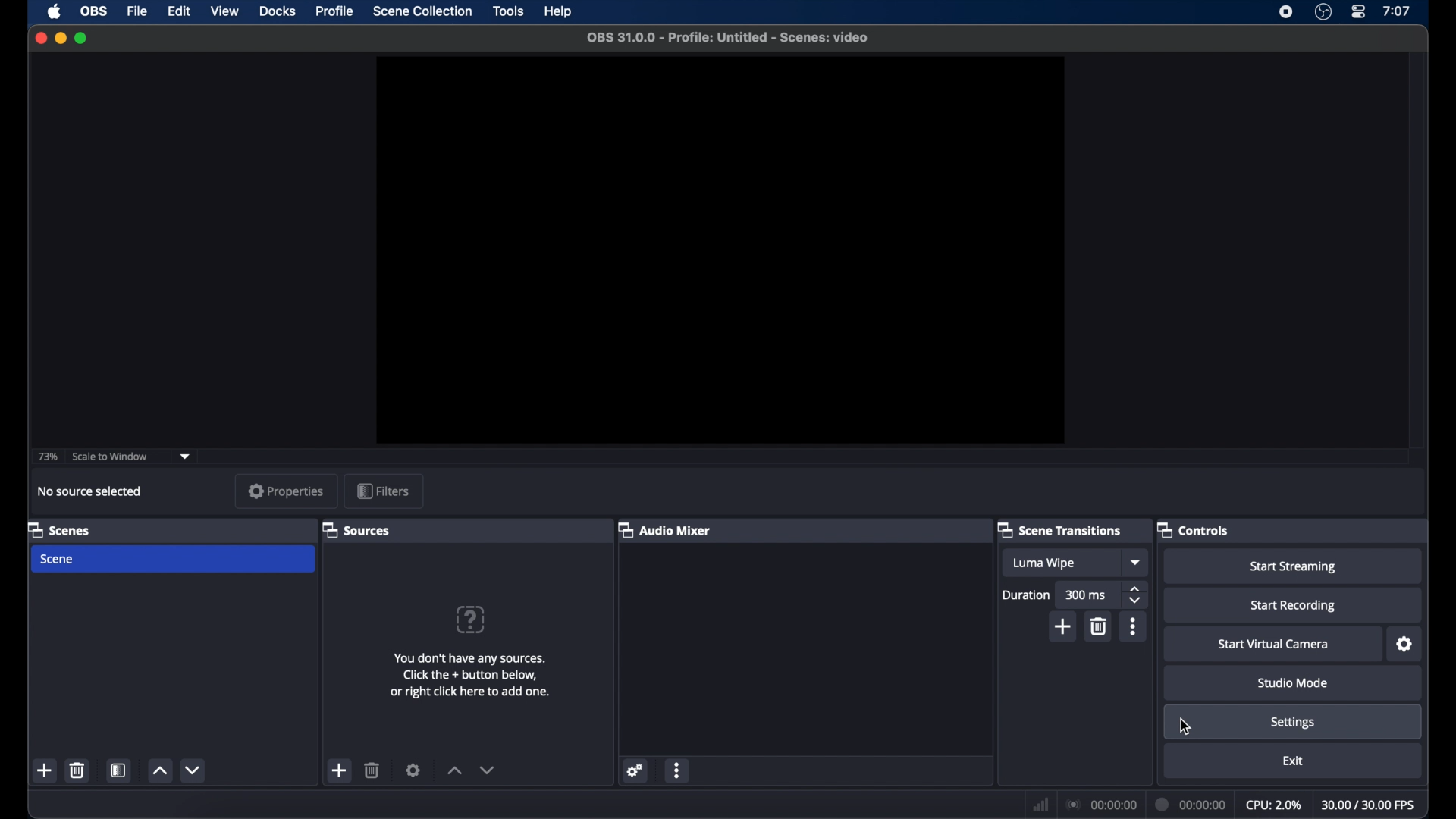 The image size is (1456, 819). What do you see at coordinates (278, 11) in the screenshot?
I see `docks` at bounding box center [278, 11].